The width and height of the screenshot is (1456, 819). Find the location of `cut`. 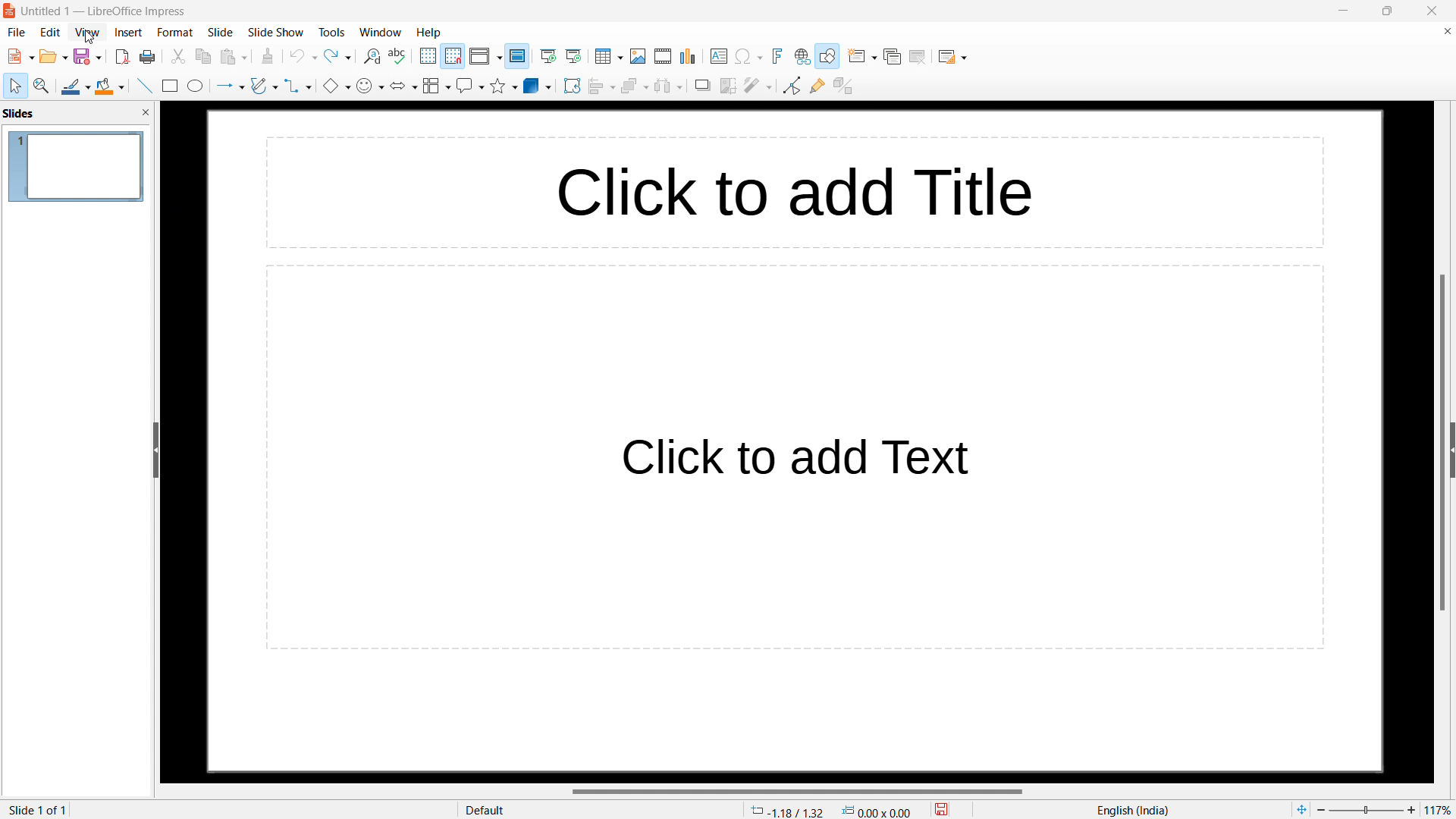

cut is located at coordinates (178, 57).